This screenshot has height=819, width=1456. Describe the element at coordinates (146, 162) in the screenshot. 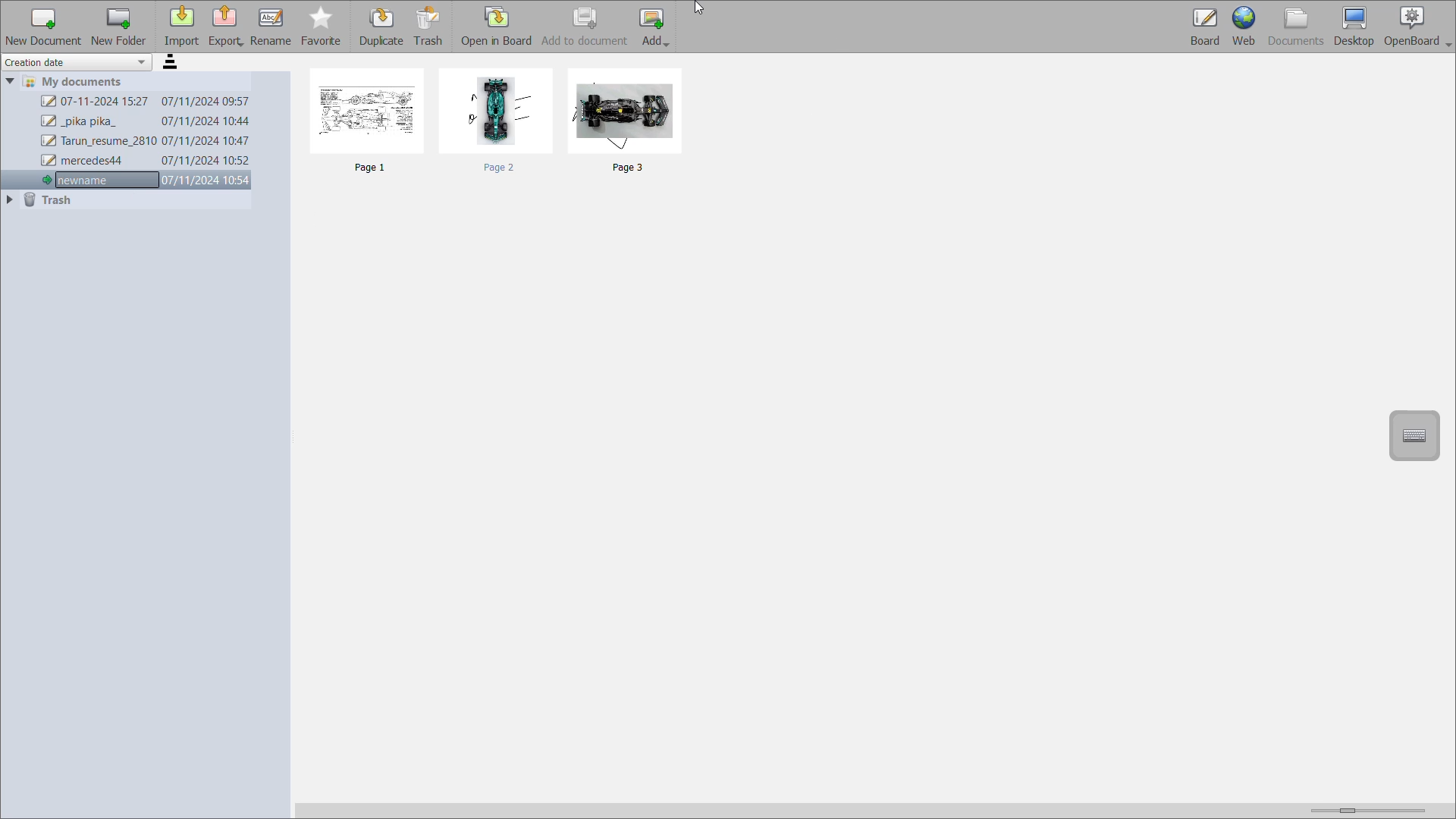

I see `mercedes44 07/11/2024 10:52` at that location.